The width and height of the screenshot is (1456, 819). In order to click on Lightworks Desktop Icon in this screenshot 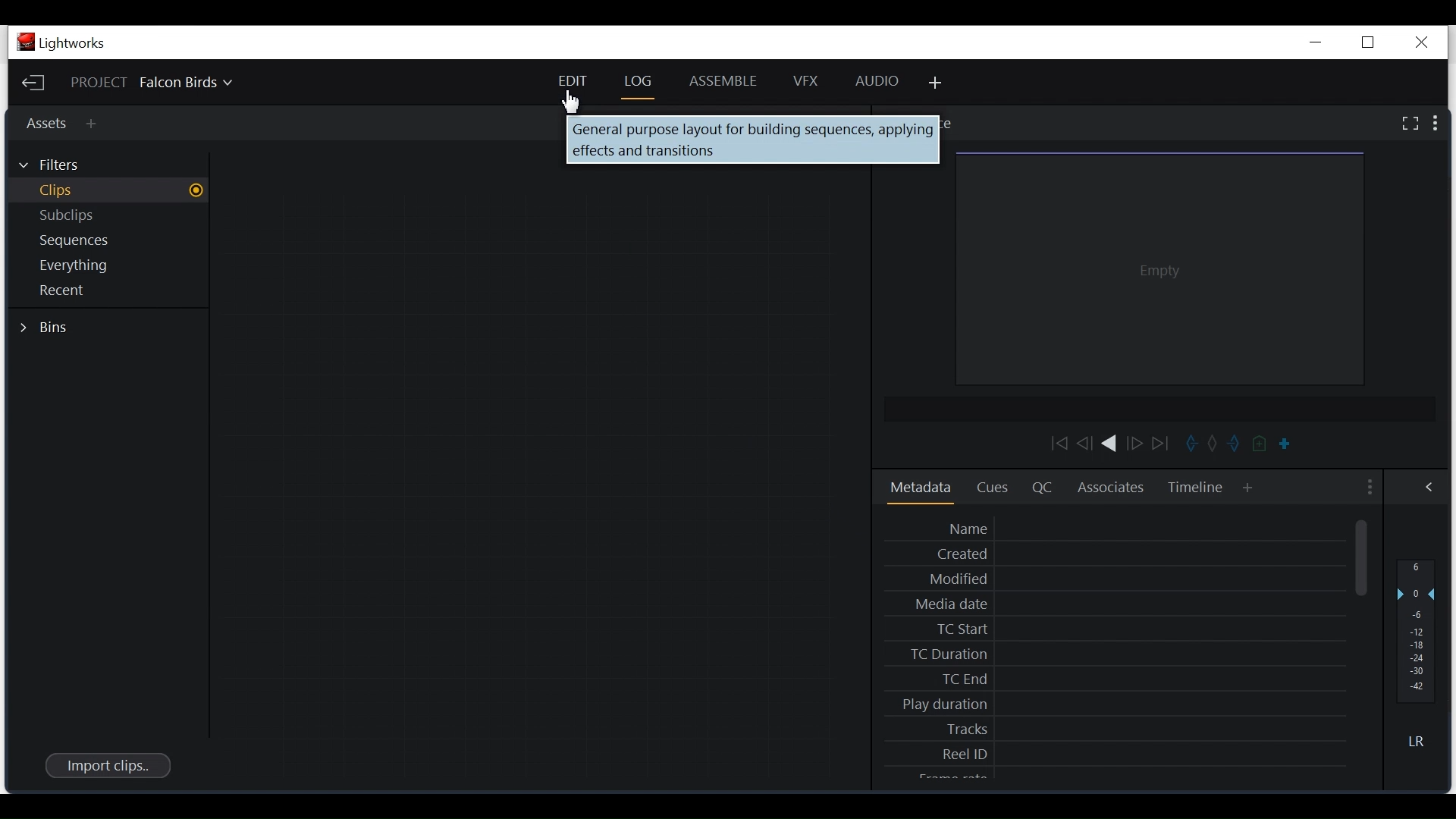, I will do `click(62, 42)`.